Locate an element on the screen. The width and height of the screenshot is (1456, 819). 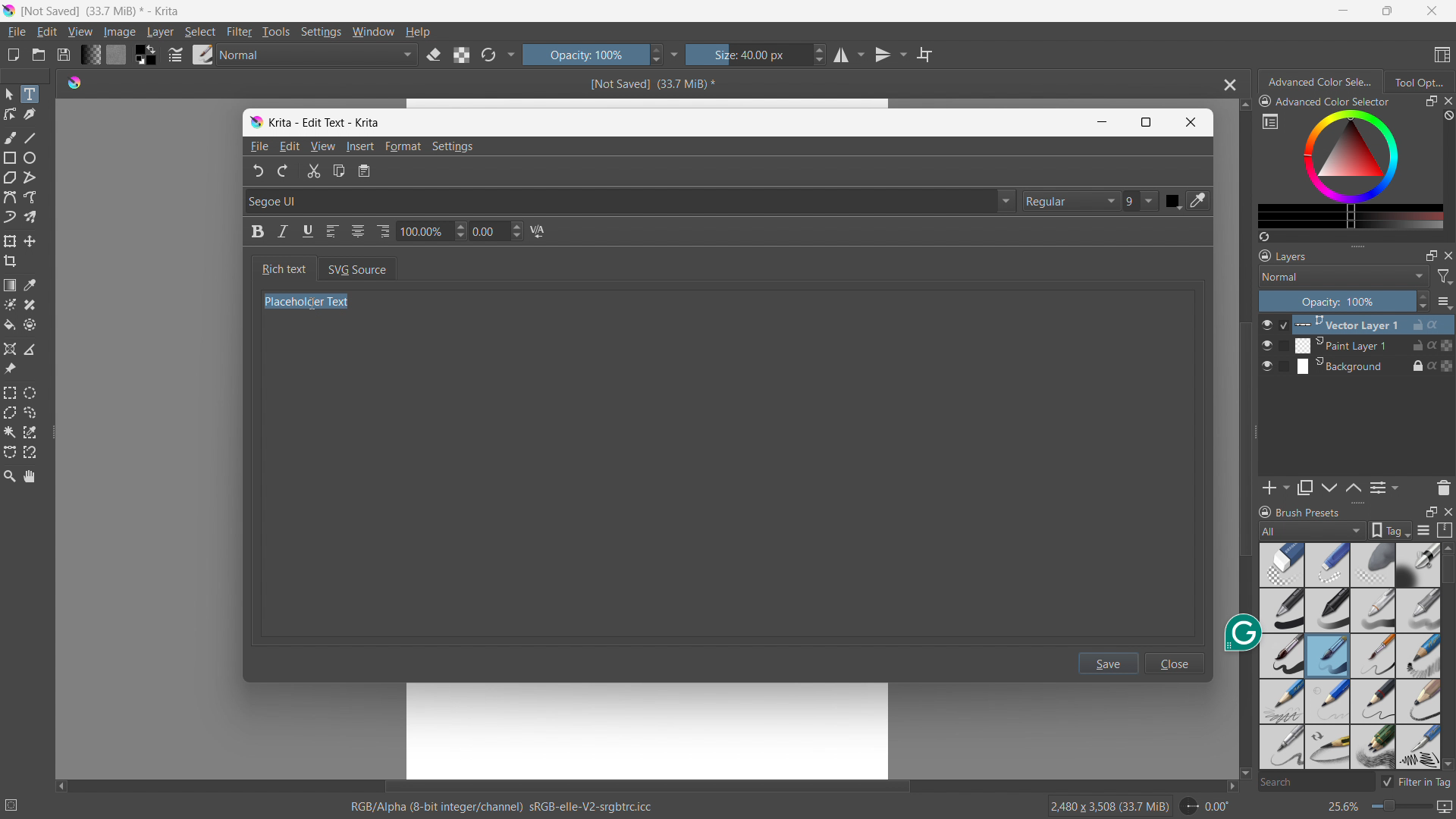
bezier curve tool is located at coordinates (10, 197).